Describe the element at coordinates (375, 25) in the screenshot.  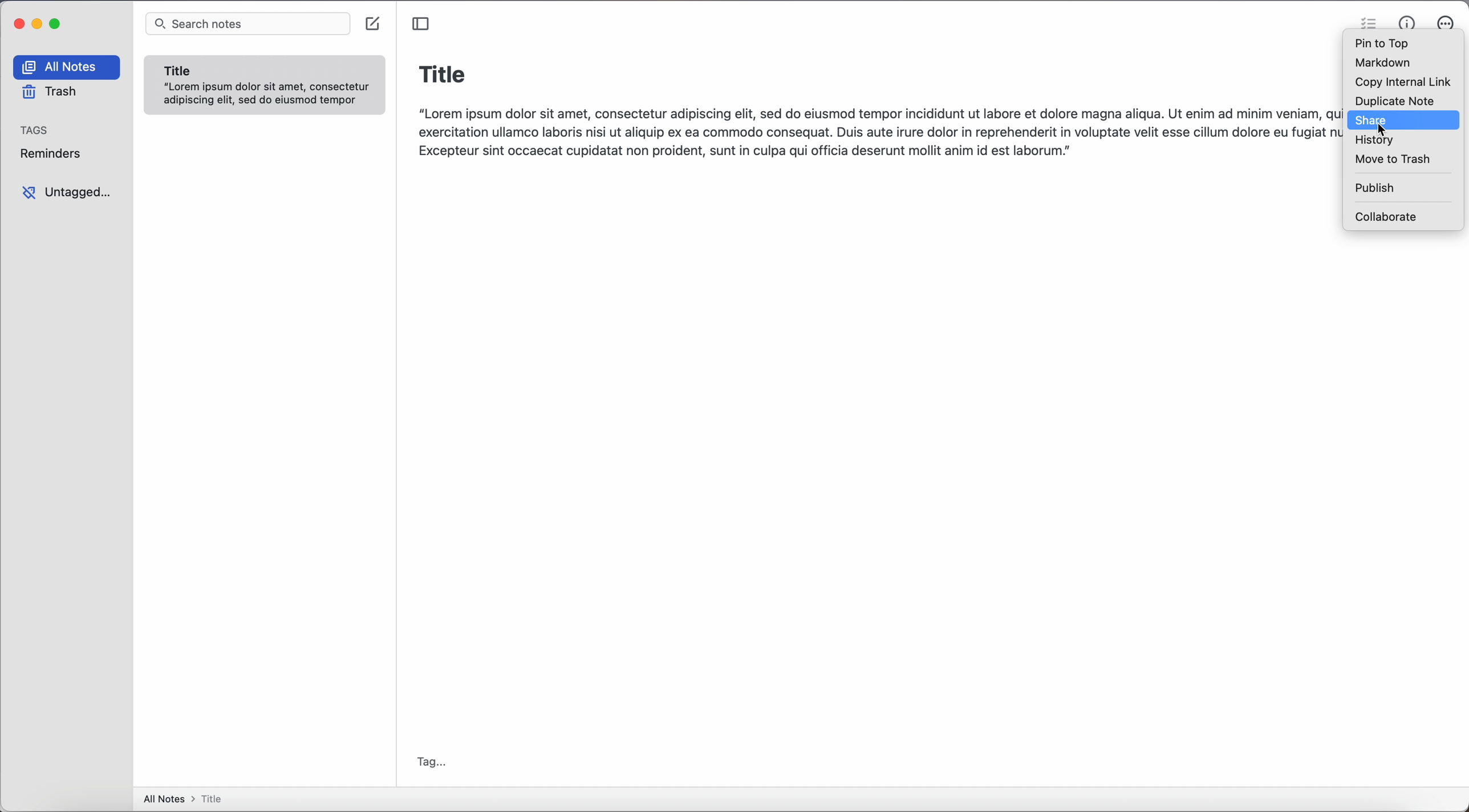
I see `create note` at that location.